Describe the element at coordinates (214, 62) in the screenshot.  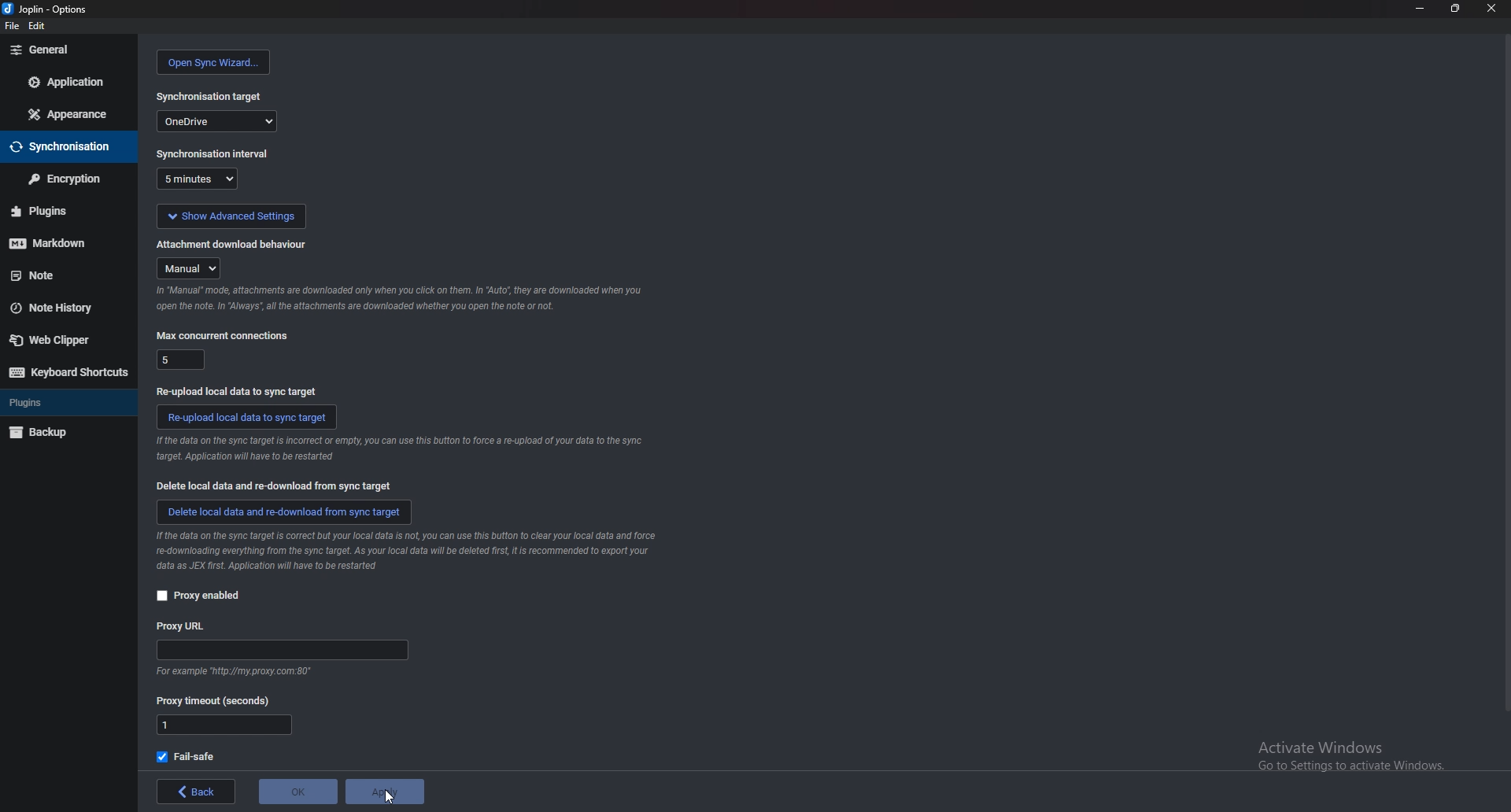
I see `open sync wizard` at that location.